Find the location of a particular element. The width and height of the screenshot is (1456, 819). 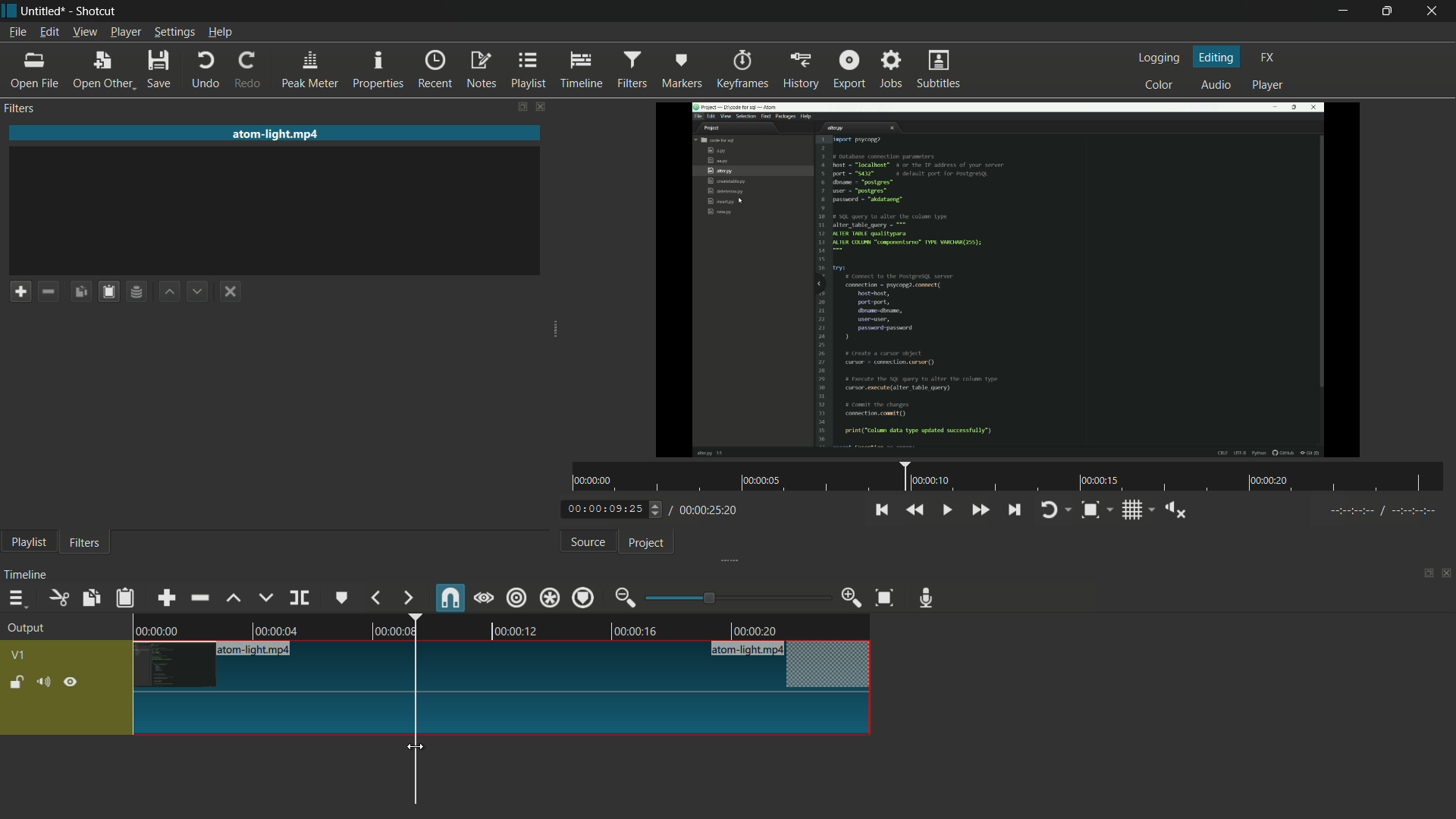

ripple markers is located at coordinates (585, 597).